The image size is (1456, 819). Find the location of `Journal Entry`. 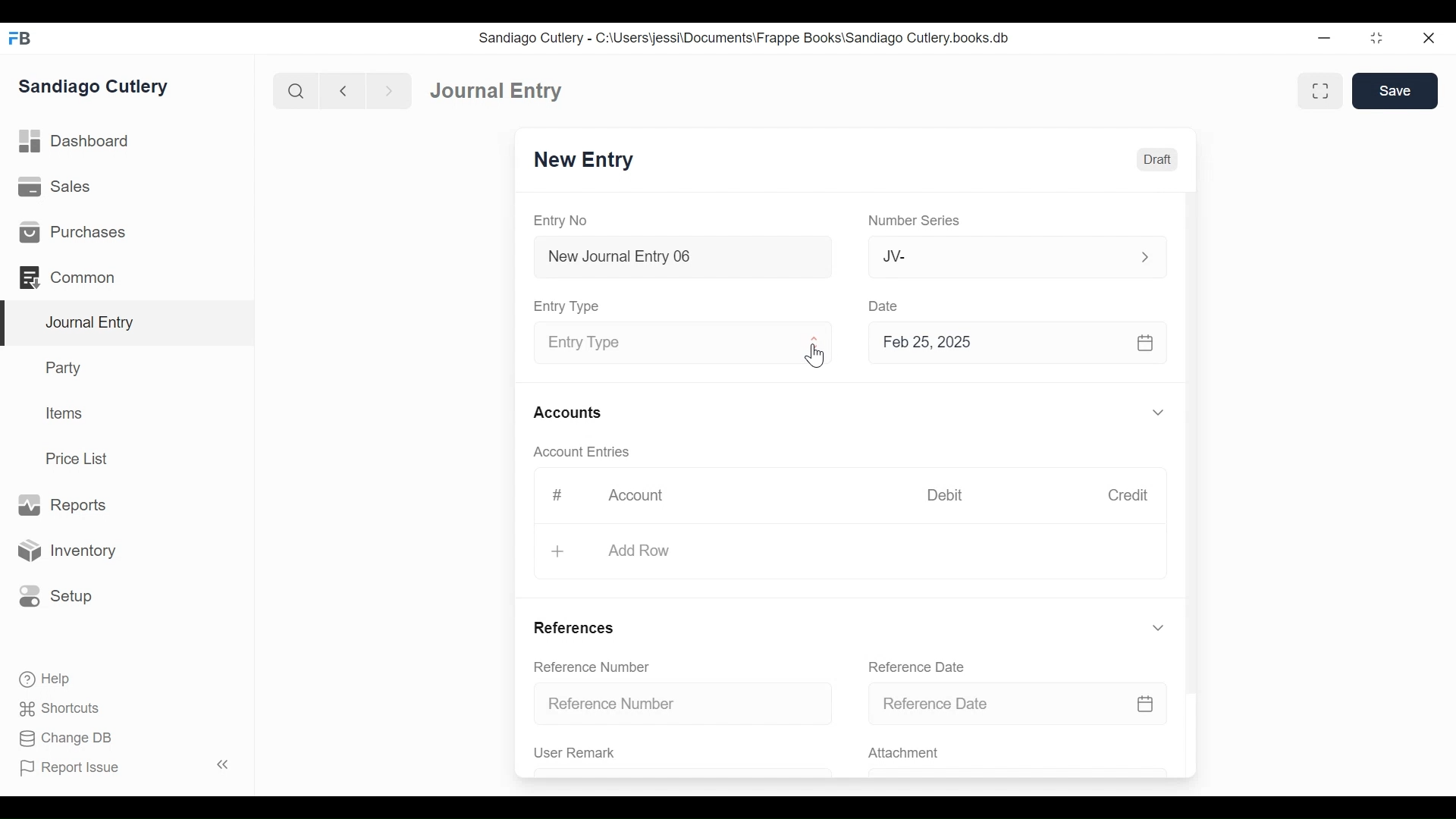

Journal Entry is located at coordinates (128, 324).